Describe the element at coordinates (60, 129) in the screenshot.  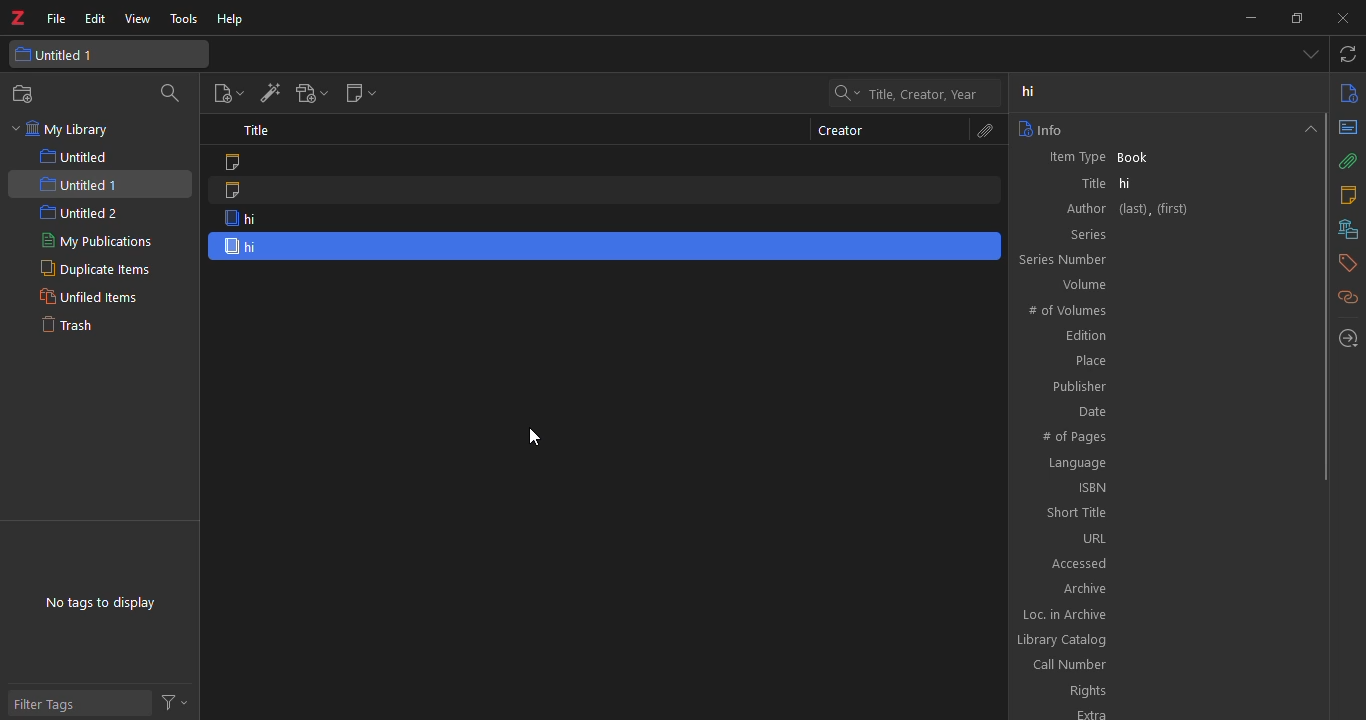
I see `my library` at that location.